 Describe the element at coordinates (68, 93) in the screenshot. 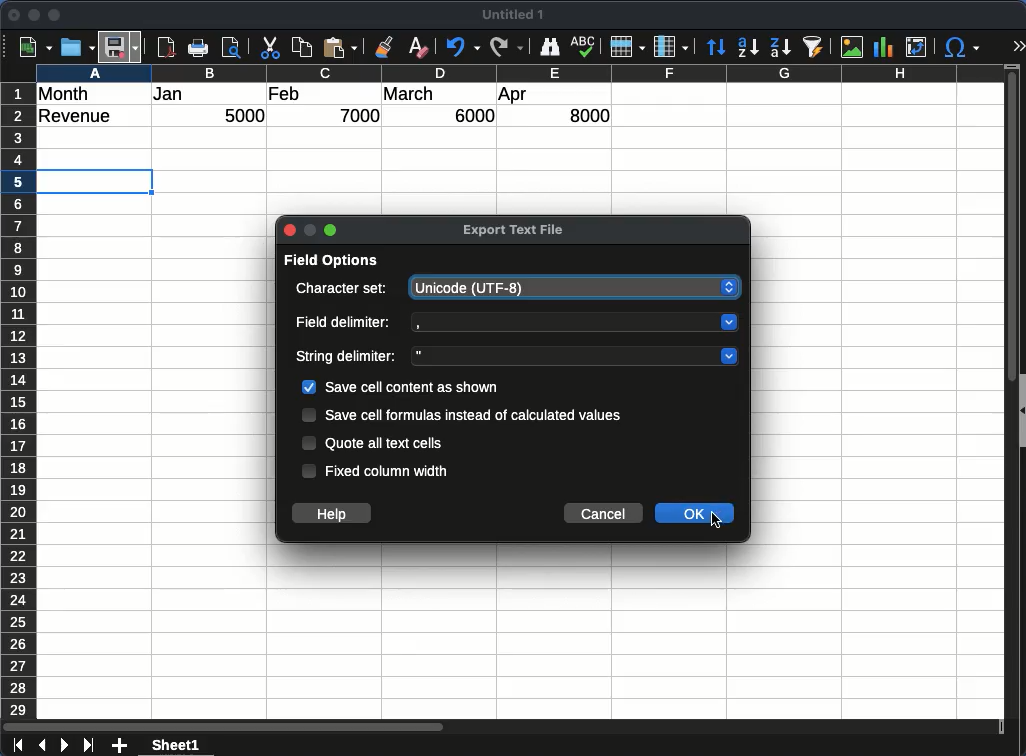

I see `month` at that location.